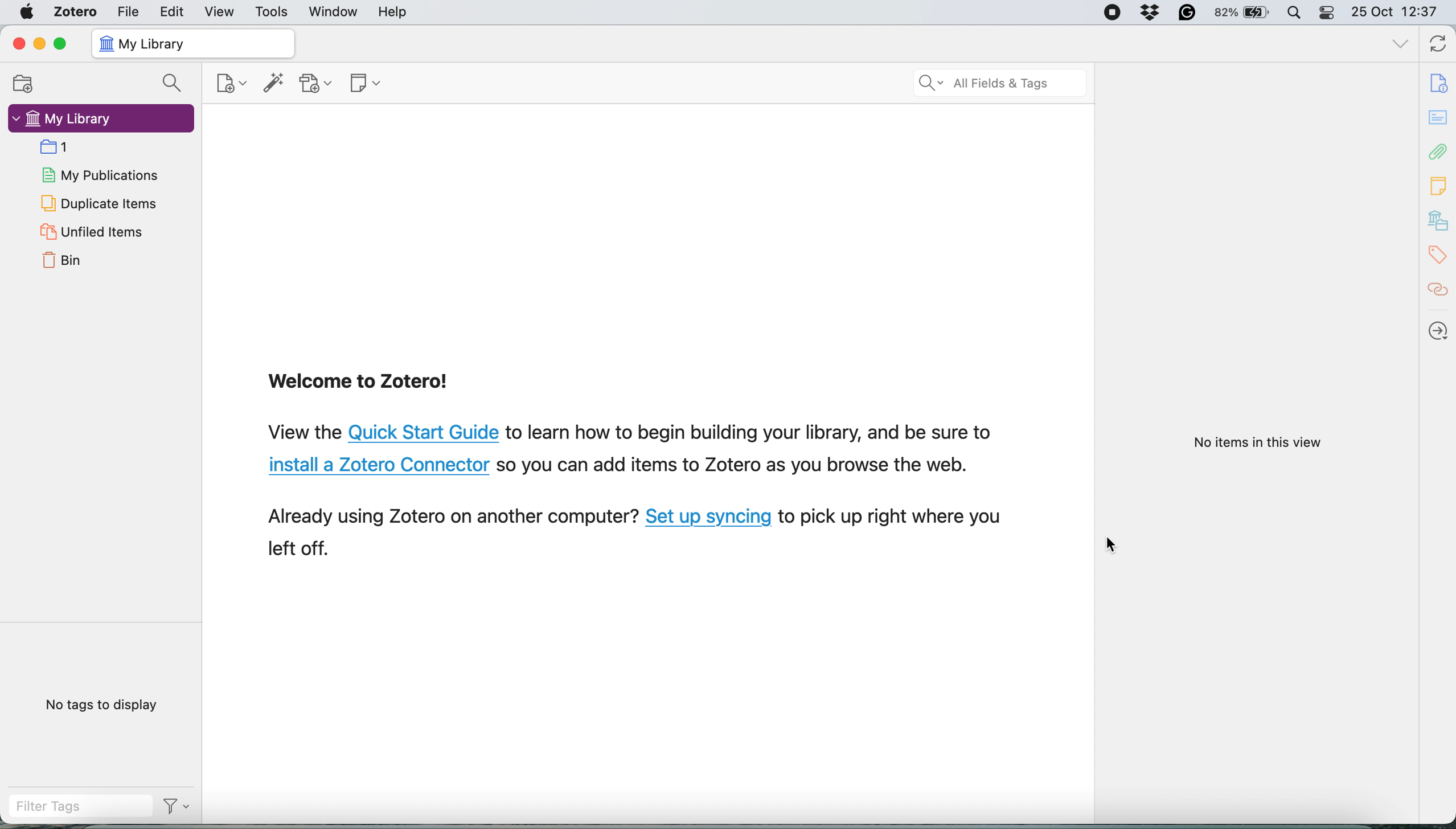 The image size is (1456, 829). Describe the element at coordinates (275, 84) in the screenshot. I see `add item by identifier` at that location.